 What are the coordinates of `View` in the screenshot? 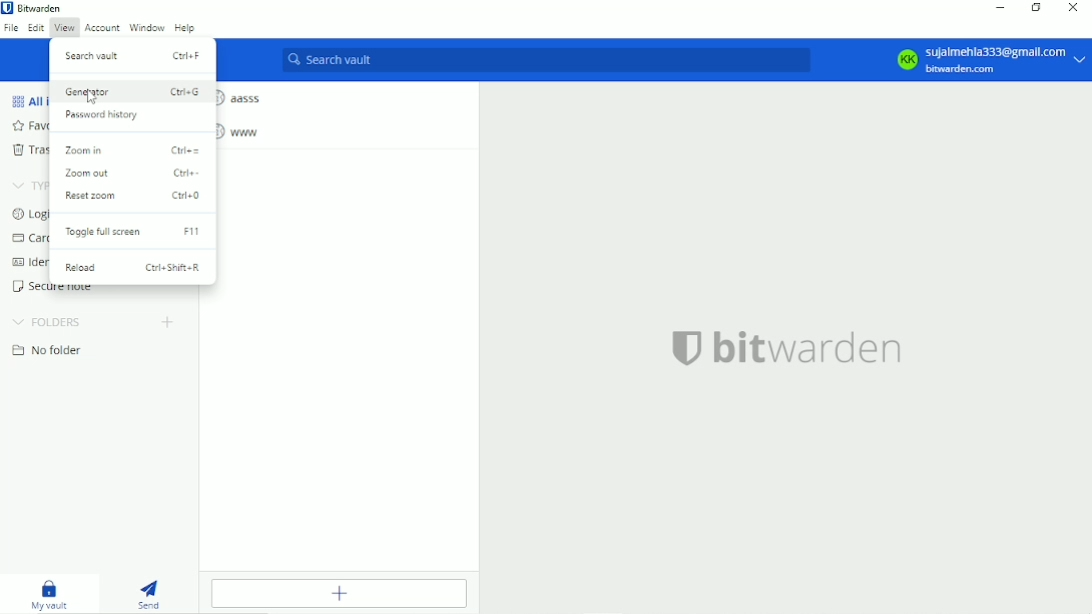 It's located at (64, 28).